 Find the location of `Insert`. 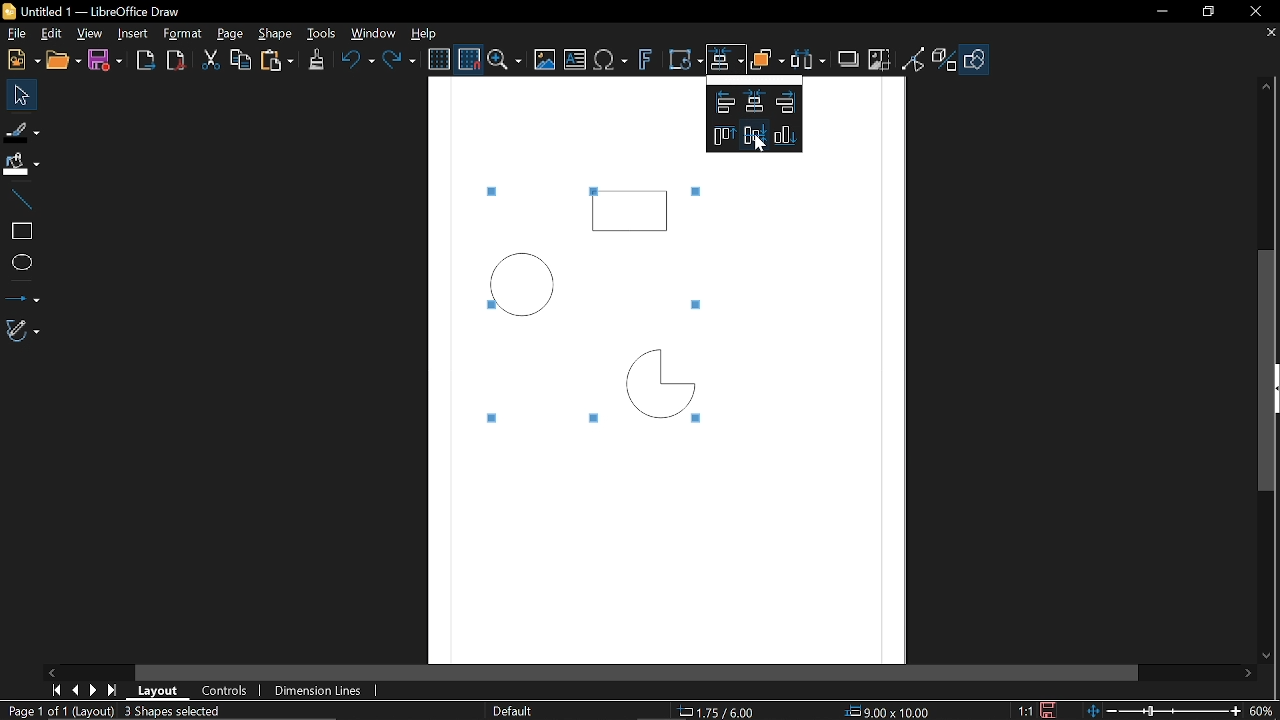

Insert is located at coordinates (131, 35).